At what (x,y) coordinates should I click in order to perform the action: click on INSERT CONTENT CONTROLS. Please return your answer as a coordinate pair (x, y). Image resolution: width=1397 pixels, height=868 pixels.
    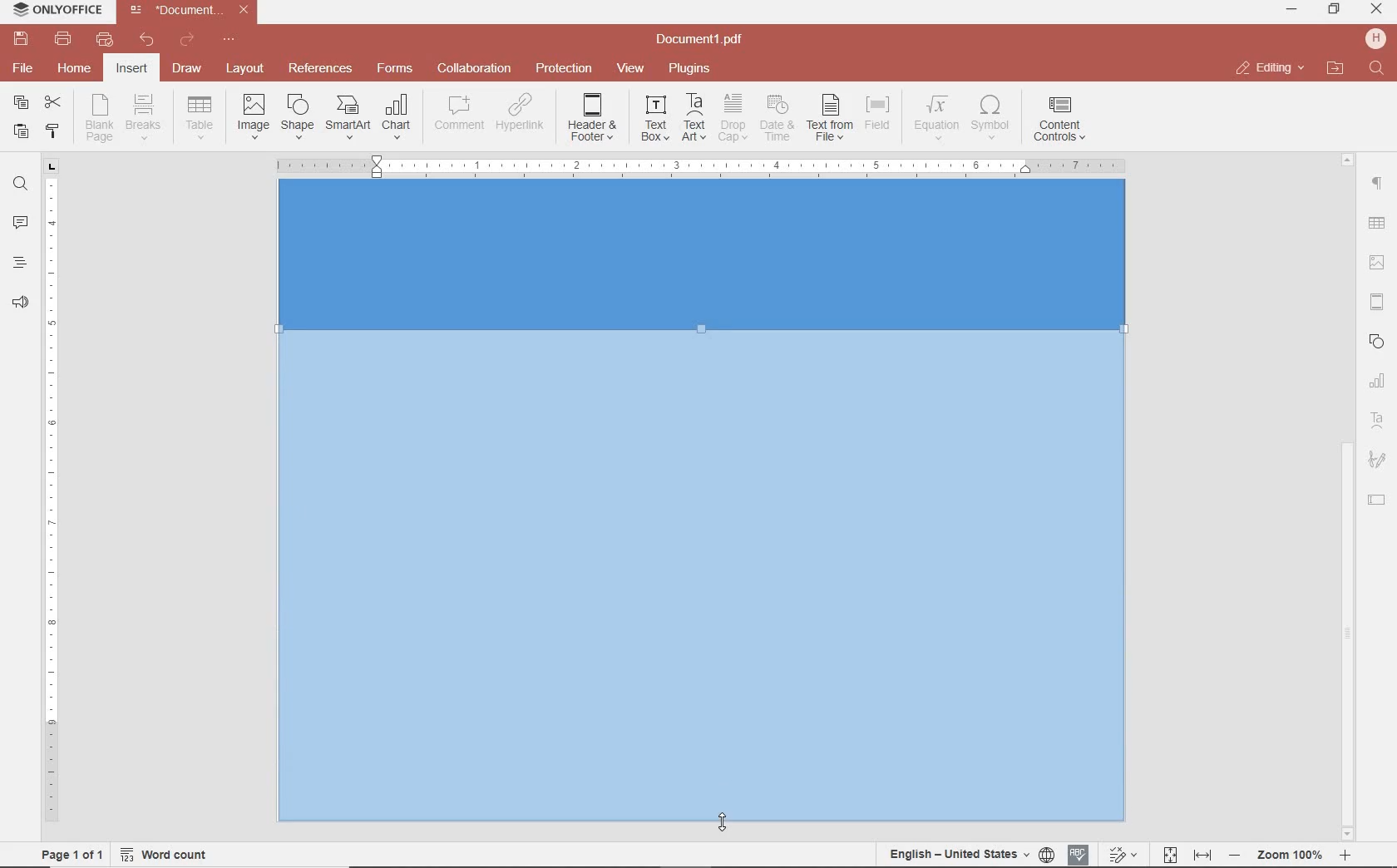
    Looking at the image, I should click on (1059, 120).